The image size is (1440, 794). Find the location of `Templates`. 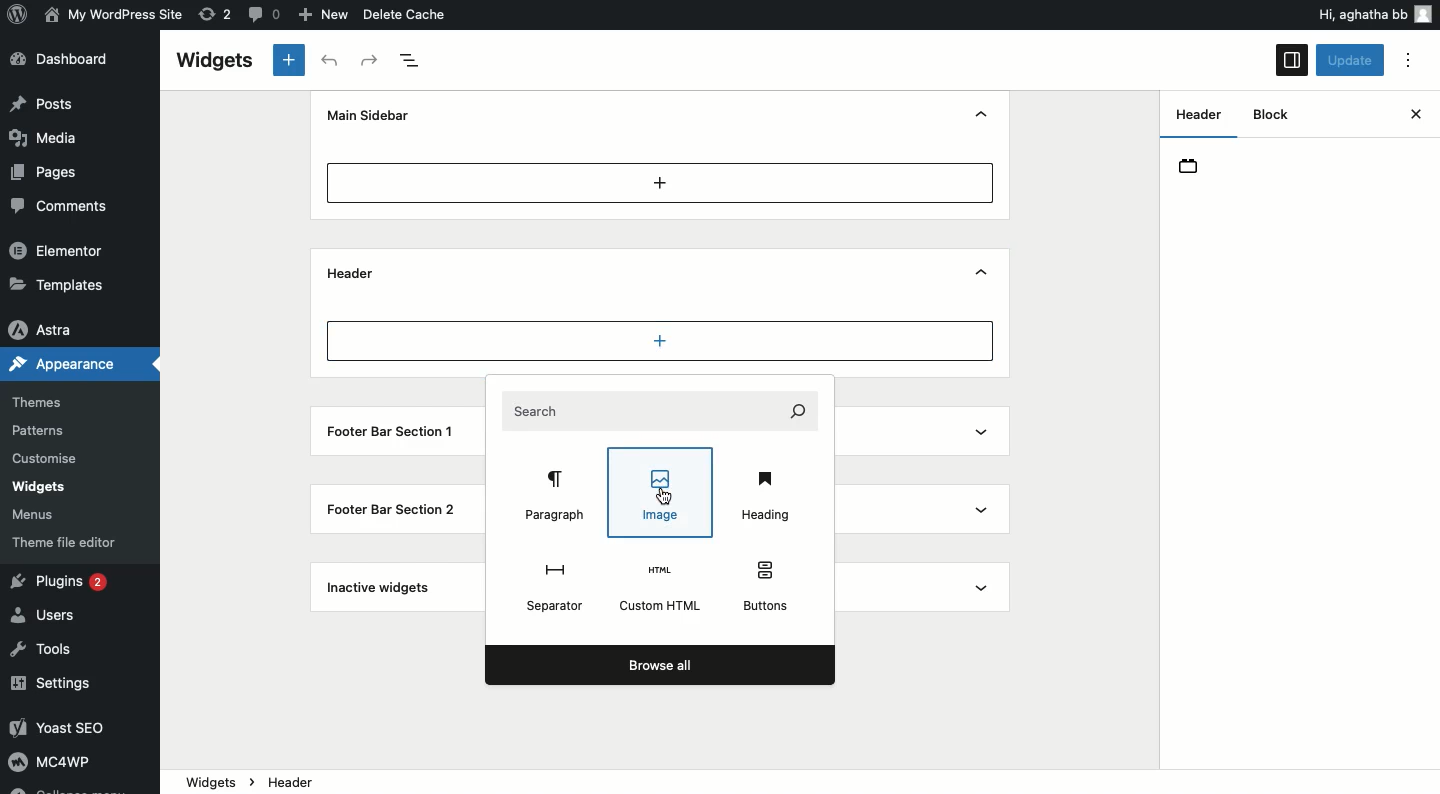

Templates is located at coordinates (60, 283).